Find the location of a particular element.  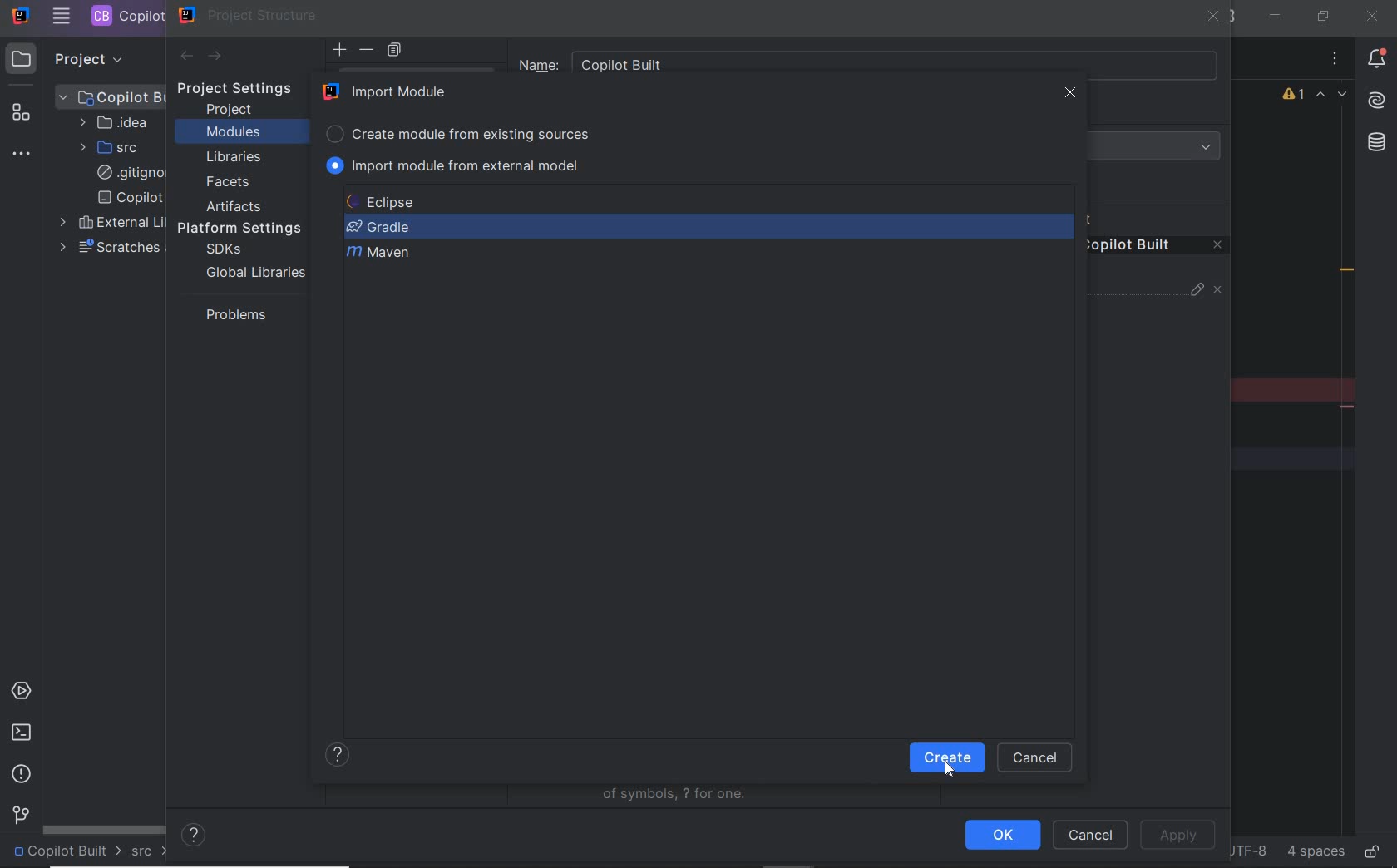

make file ready only is located at coordinates (1371, 851).